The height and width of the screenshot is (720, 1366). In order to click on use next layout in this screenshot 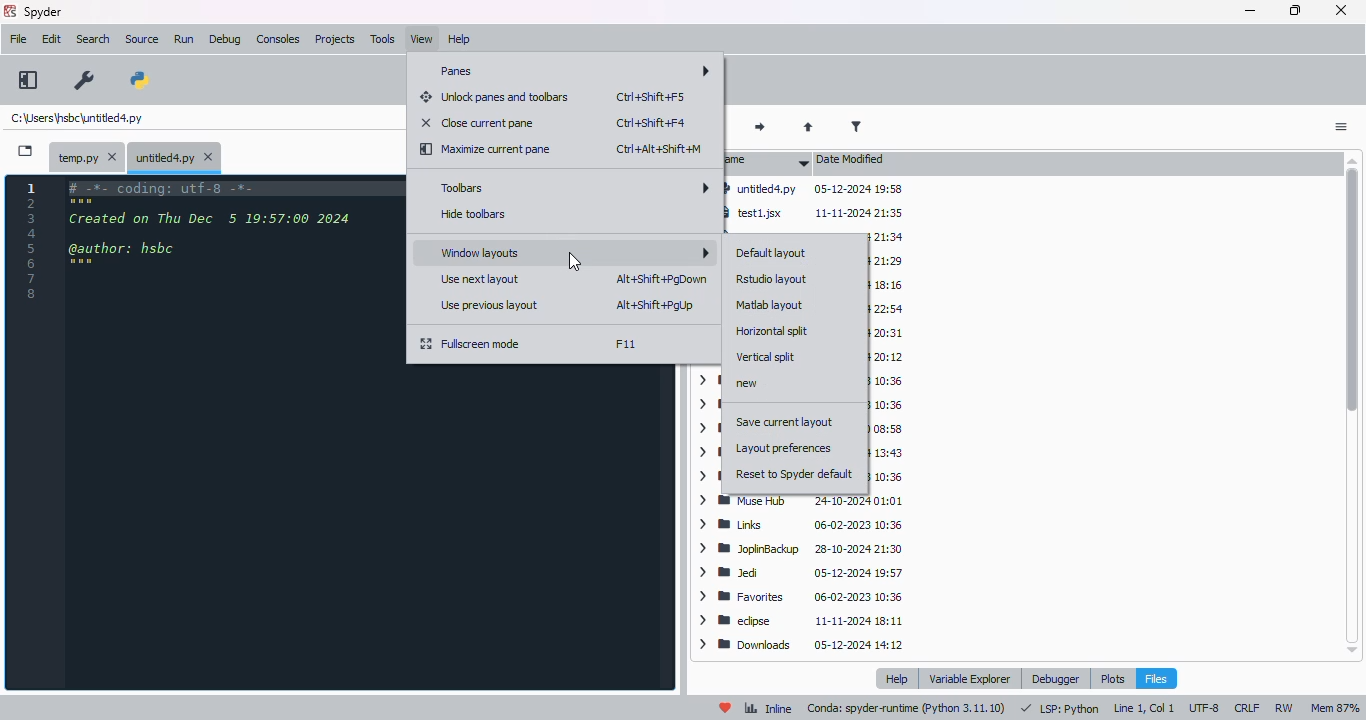, I will do `click(482, 279)`.